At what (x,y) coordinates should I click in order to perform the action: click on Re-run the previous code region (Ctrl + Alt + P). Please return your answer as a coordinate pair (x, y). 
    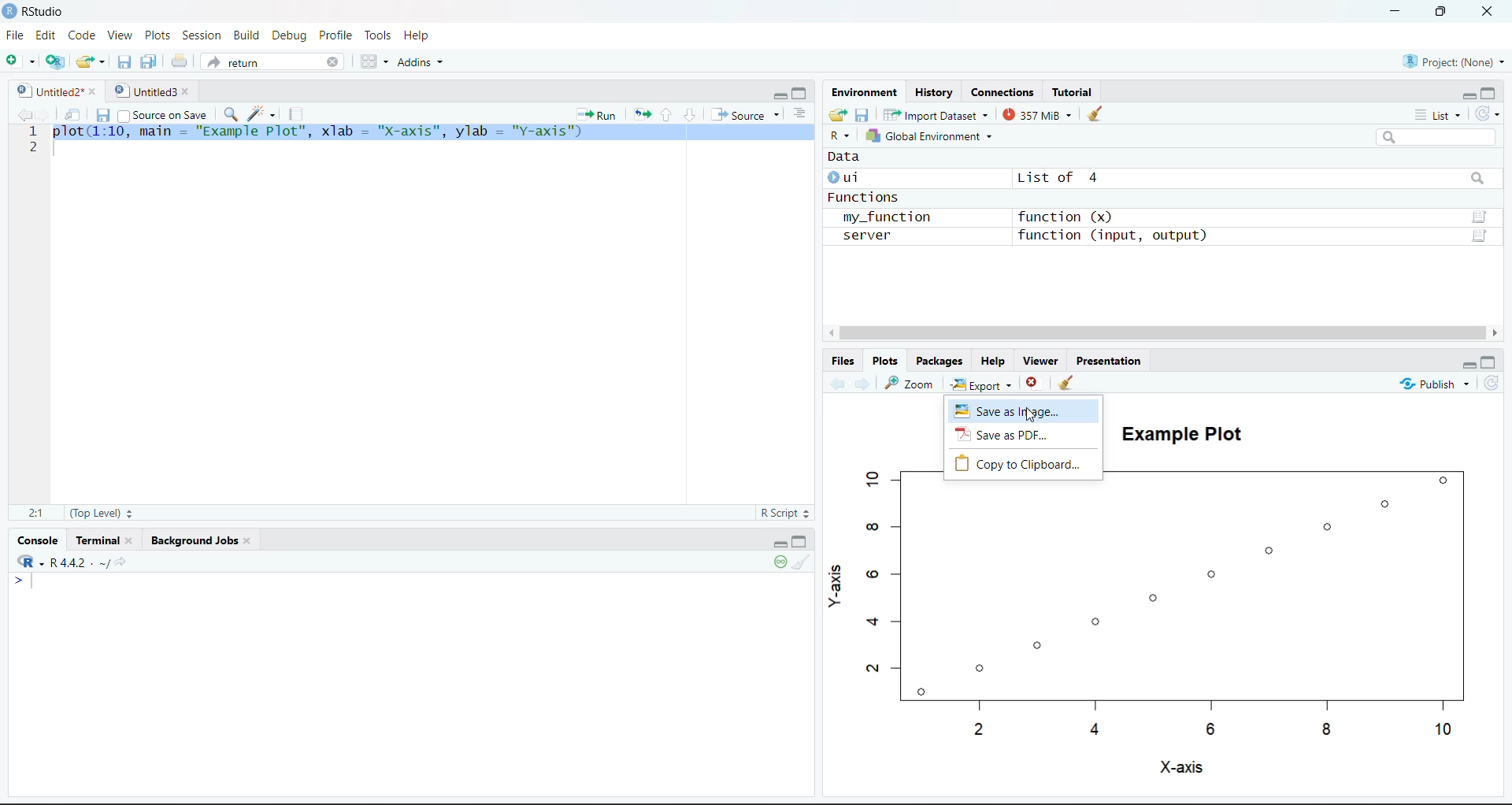
    Looking at the image, I should click on (640, 113).